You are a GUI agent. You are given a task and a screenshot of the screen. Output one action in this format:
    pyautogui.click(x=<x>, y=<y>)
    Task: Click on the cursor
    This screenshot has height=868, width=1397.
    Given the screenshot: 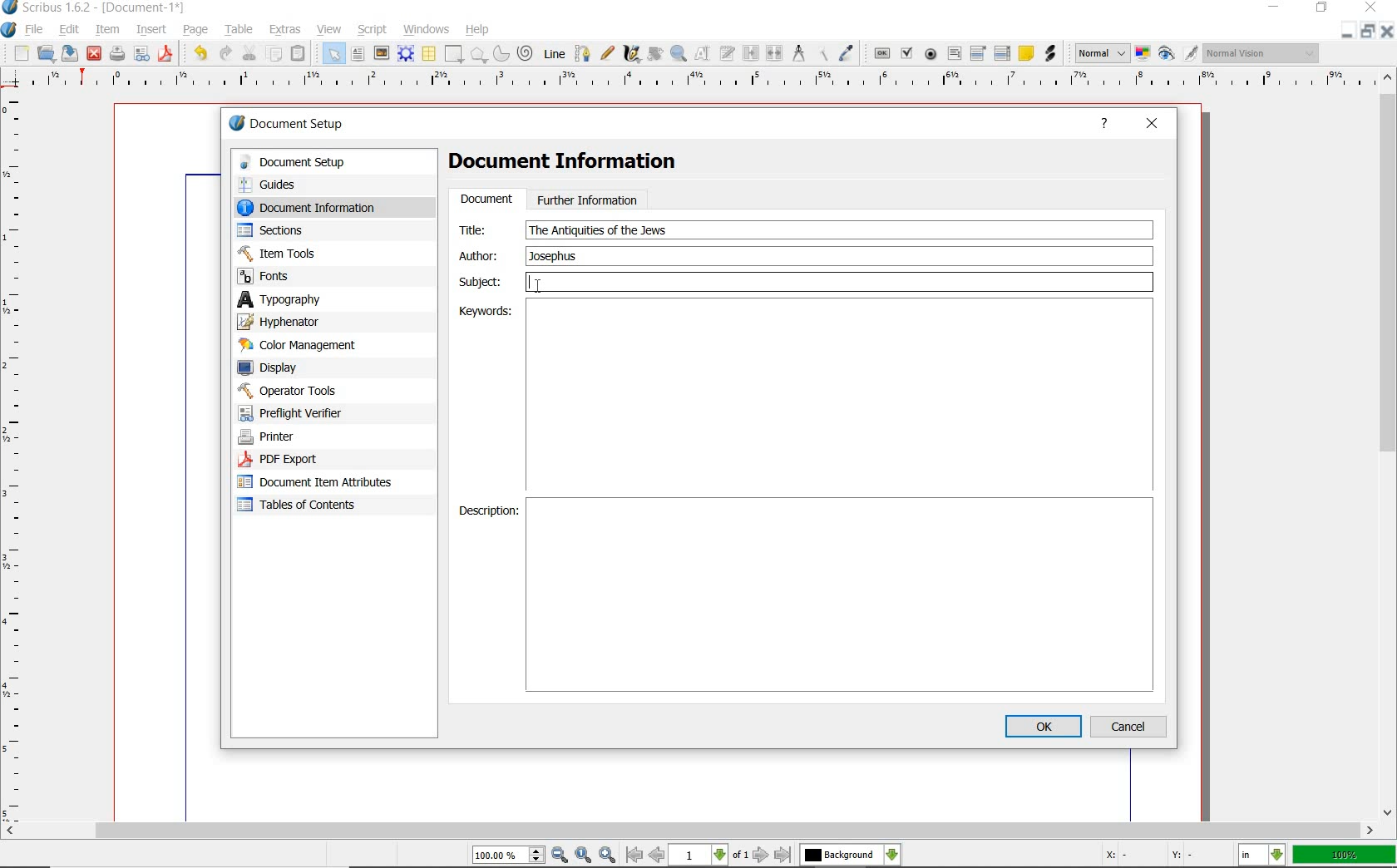 What is the action you would take?
    pyautogui.click(x=536, y=287)
    